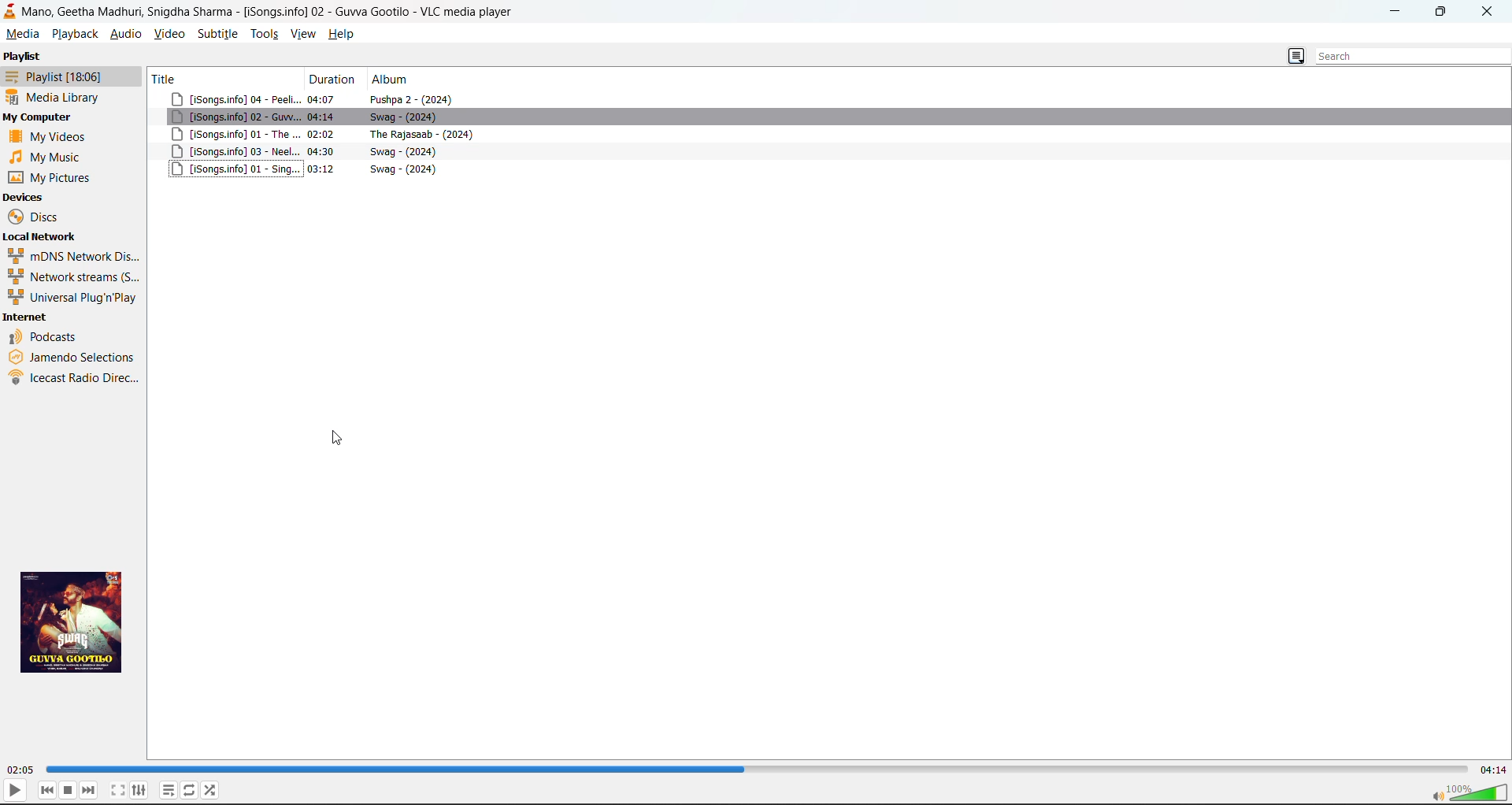 This screenshot has width=1512, height=805. I want to click on pictures, so click(54, 177).